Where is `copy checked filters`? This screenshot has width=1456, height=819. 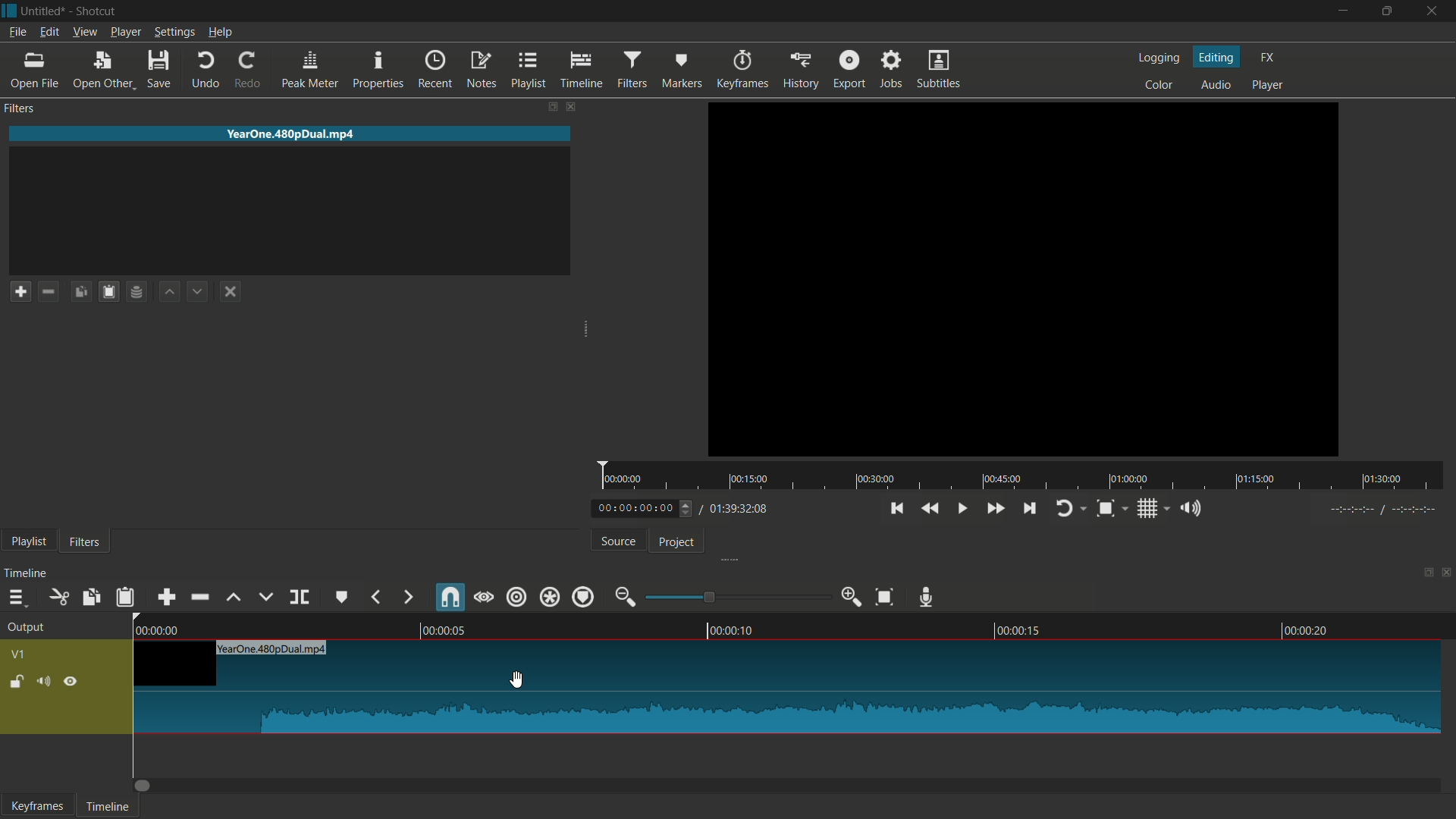 copy checked filters is located at coordinates (81, 292).